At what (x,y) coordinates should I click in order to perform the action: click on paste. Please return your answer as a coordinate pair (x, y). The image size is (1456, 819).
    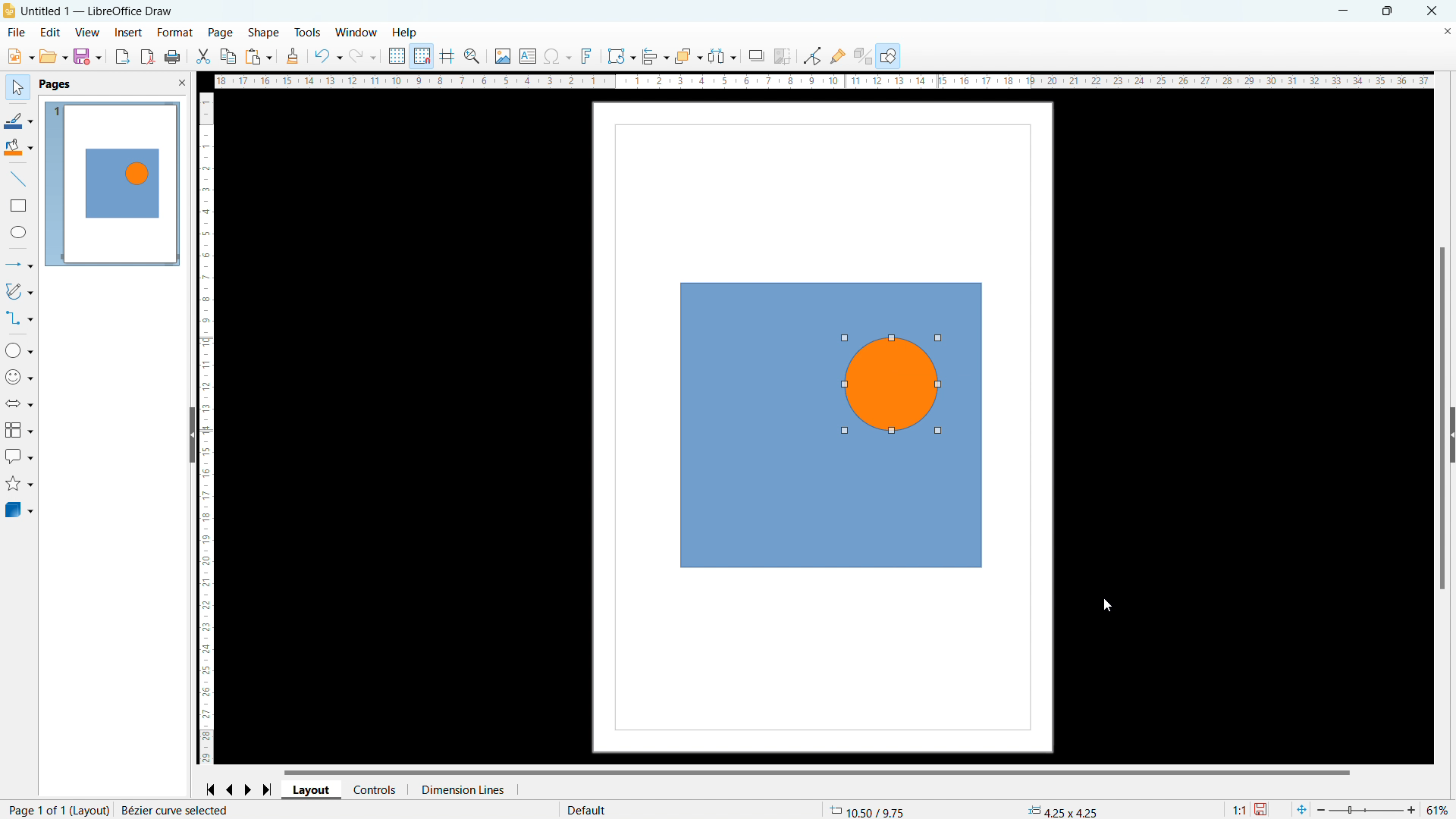
    Looking at the image, I should click on (259, 56).